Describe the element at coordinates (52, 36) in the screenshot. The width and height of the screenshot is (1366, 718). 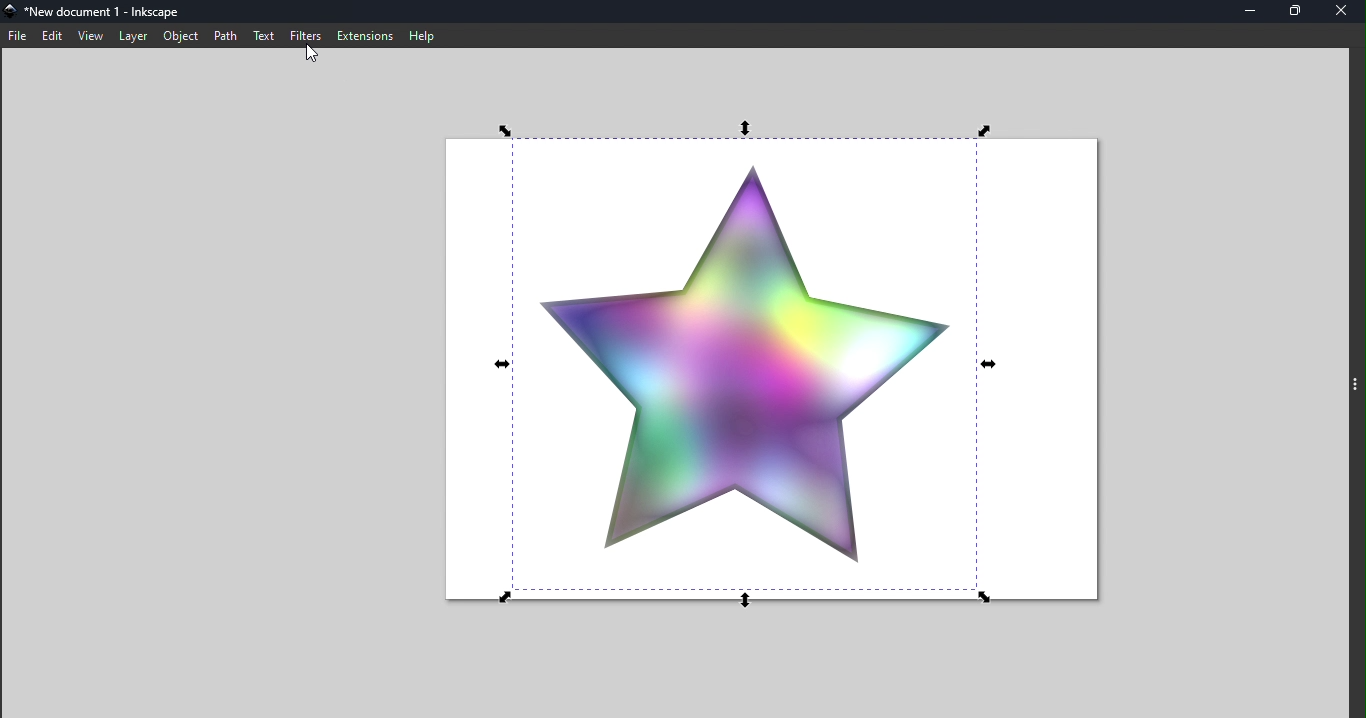
I see `edit` at that location.